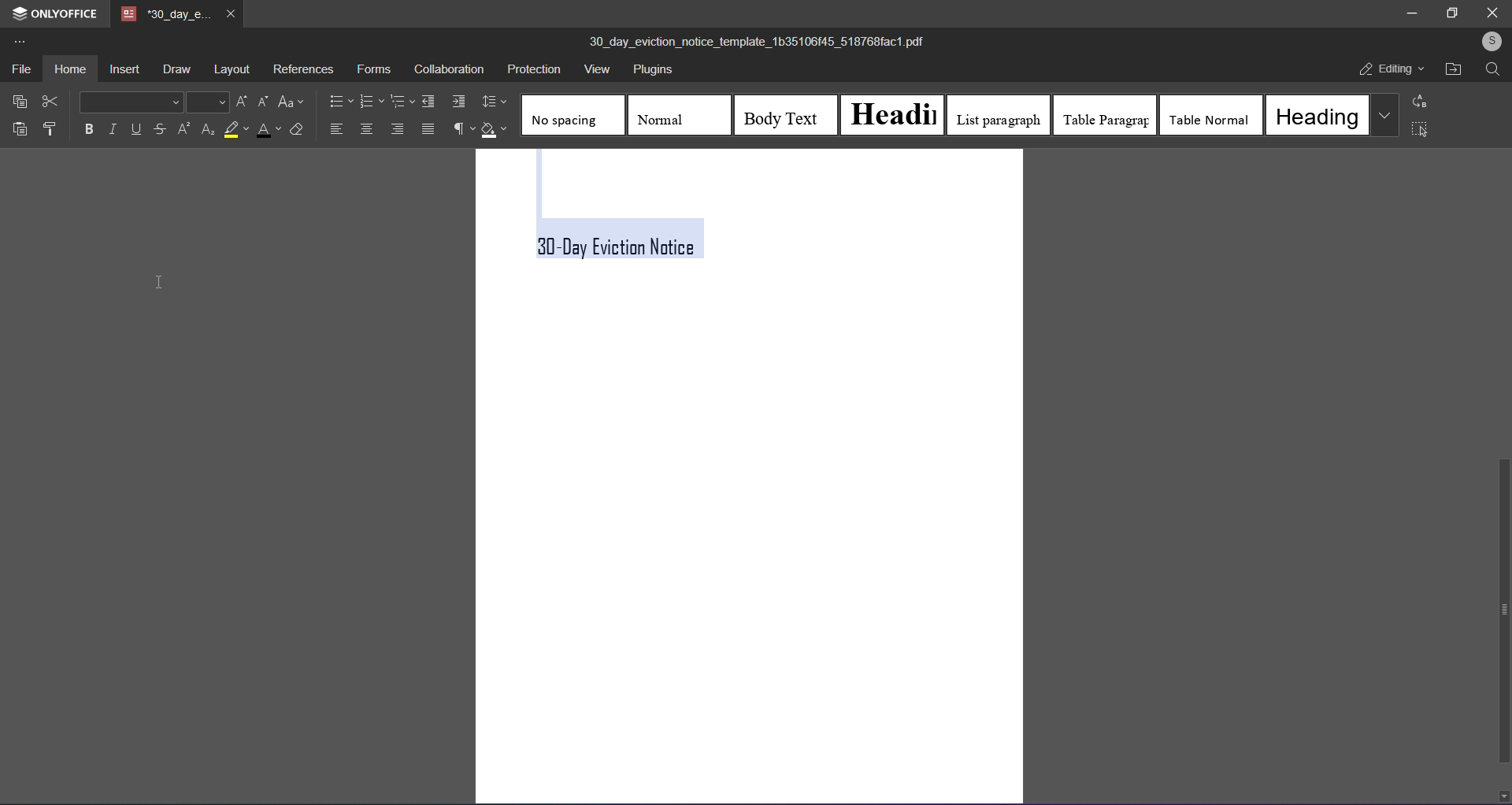  Describe the element at coordinates (396, 129) in the screenshot. I see `right aligned` at that location.